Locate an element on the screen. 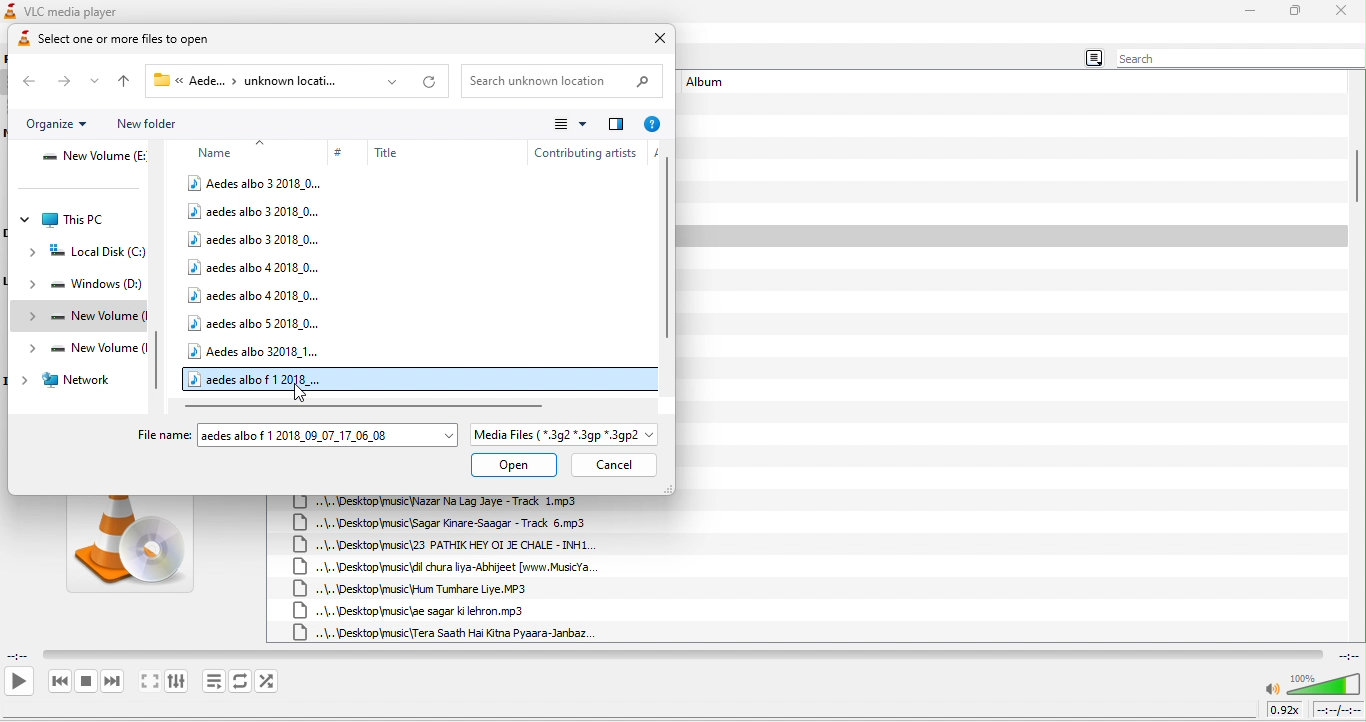 The image size is (1366, 722). \..\Desktop\music\Nazar Na Lag Jaye - Track 1.mp3 is located at coordinates (450, 502).